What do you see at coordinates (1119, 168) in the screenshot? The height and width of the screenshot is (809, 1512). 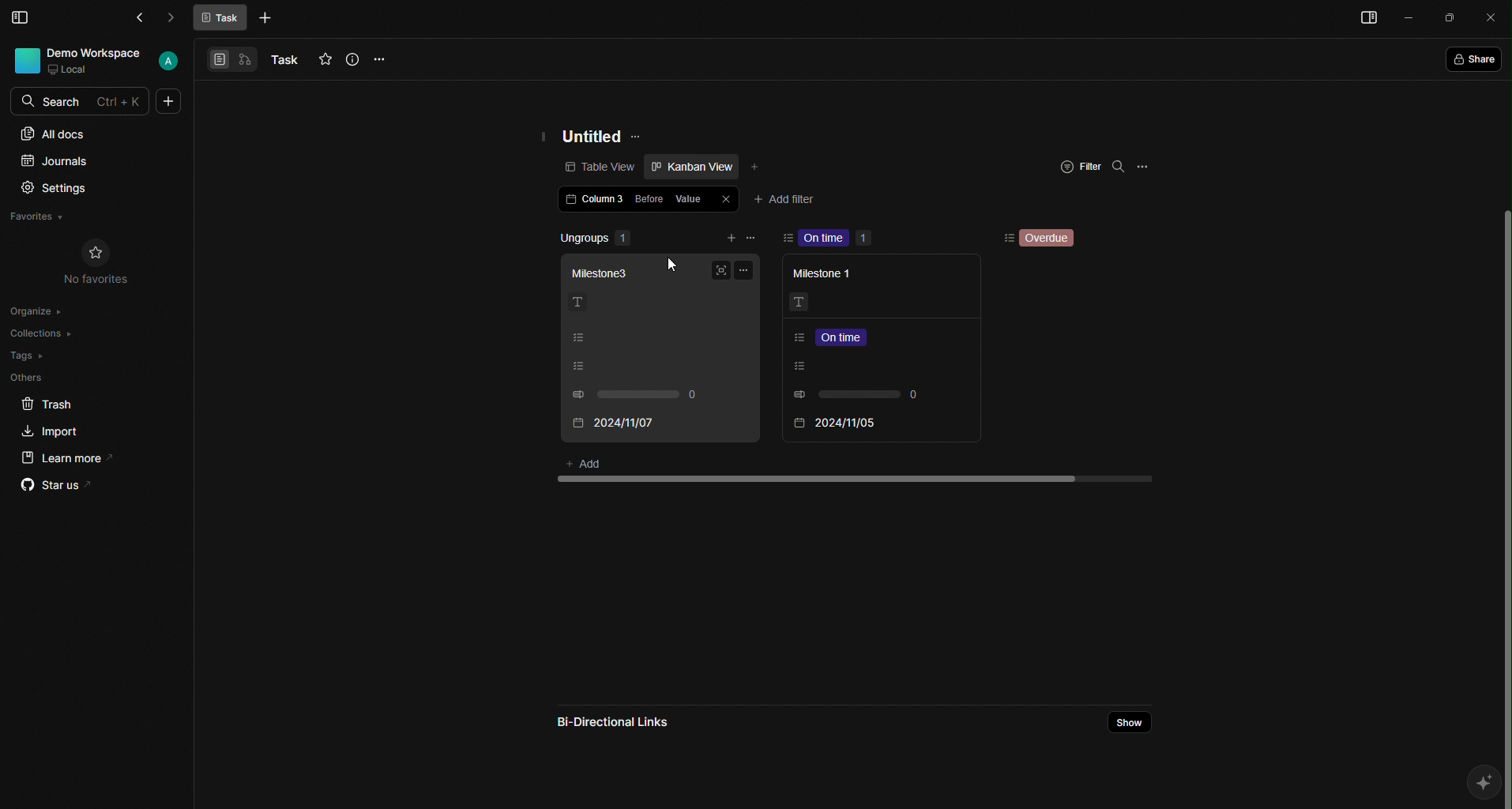 I see `Search` at bounding box center [1119, 168].